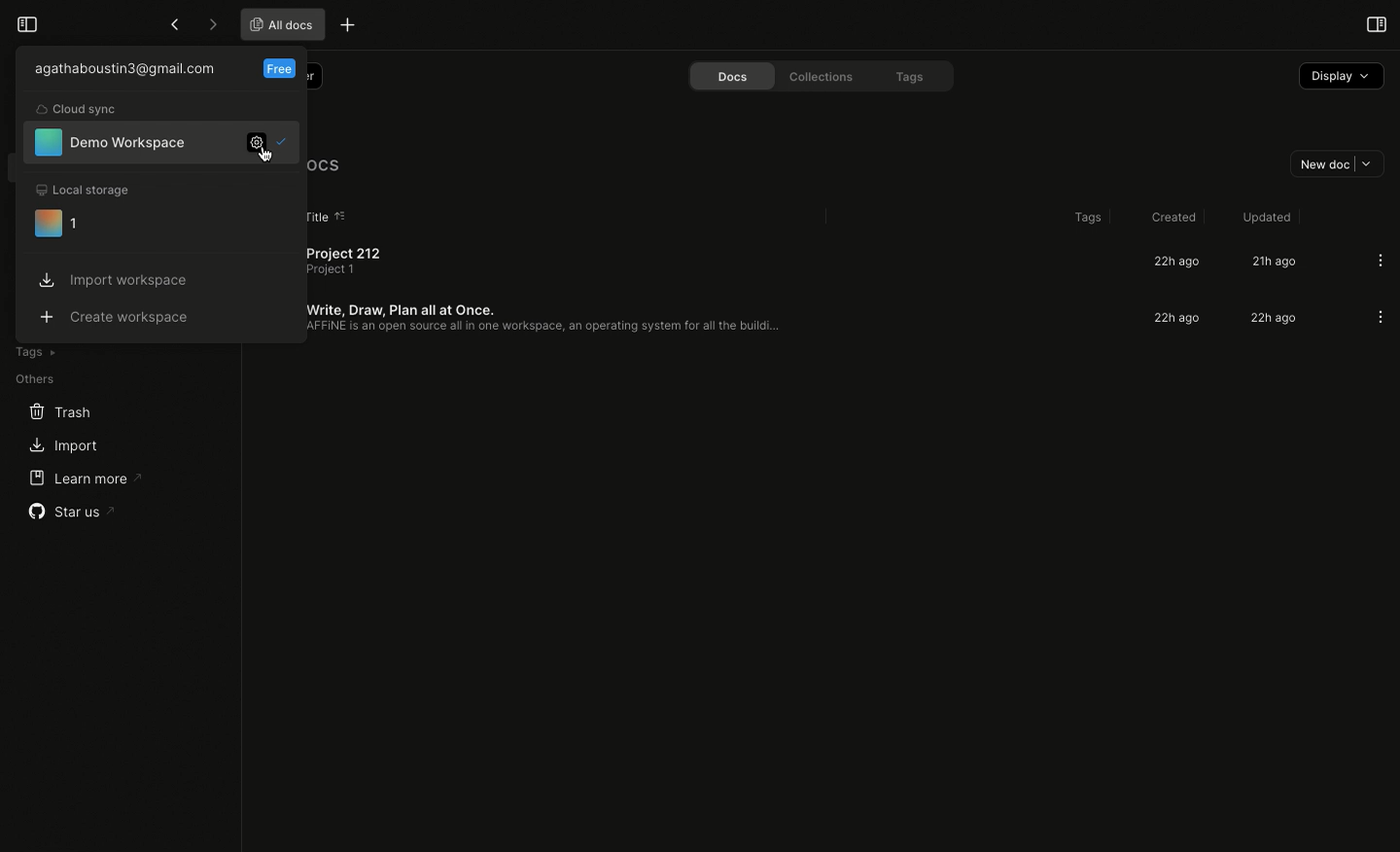 The width and height of the screenshot is (1400, 852). Describe the element at coordinates (1264, 217) in the screenshot. I see `Updated` at that location.